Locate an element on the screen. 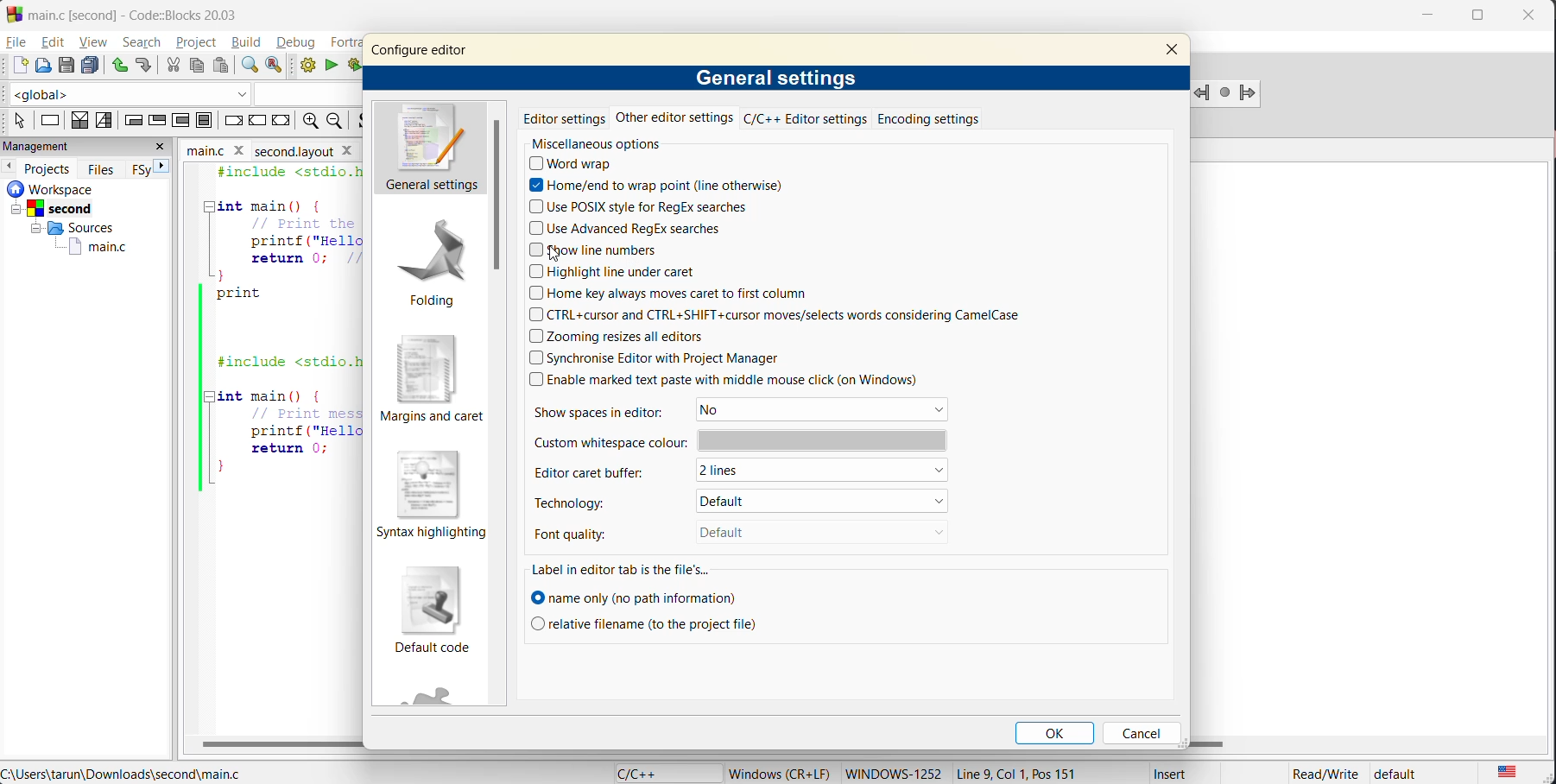 The height and width of the screenshot is (784, 1556). redo is located at coordinates (143, 64).